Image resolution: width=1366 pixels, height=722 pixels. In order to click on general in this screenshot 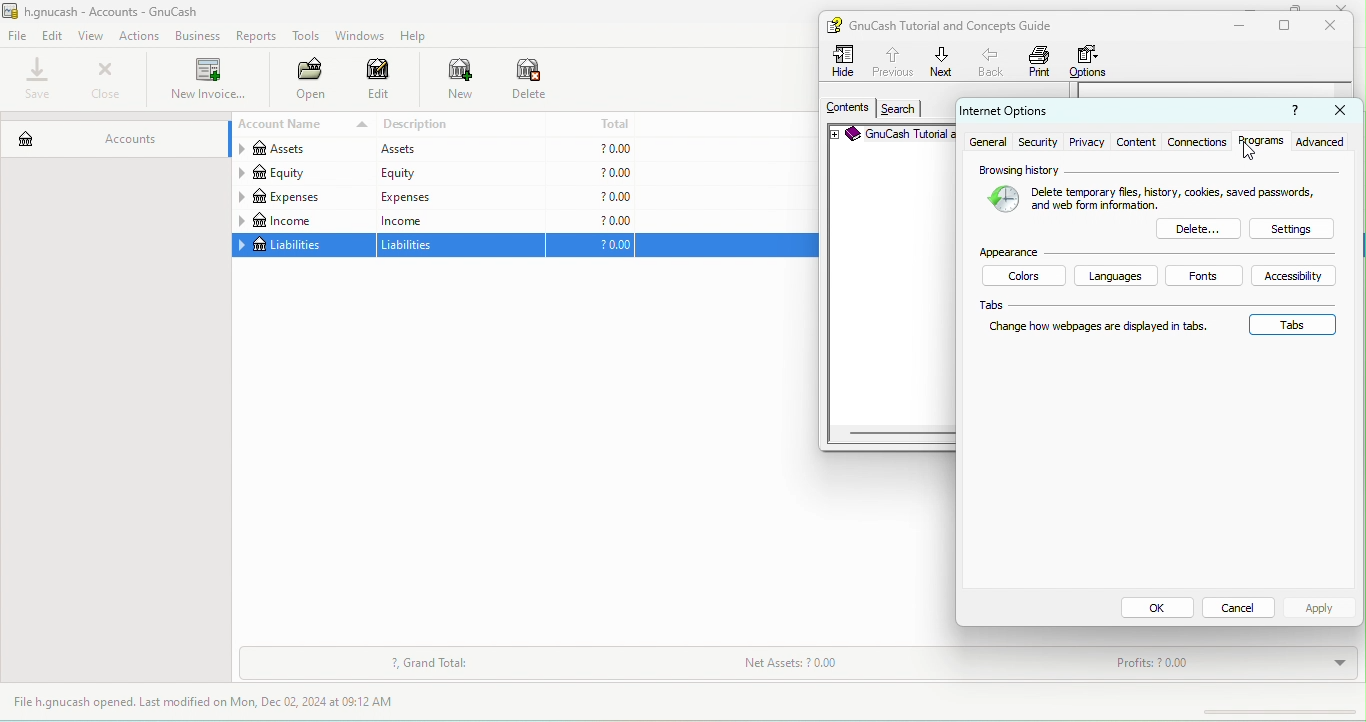, I will do `click(987, 142)`.